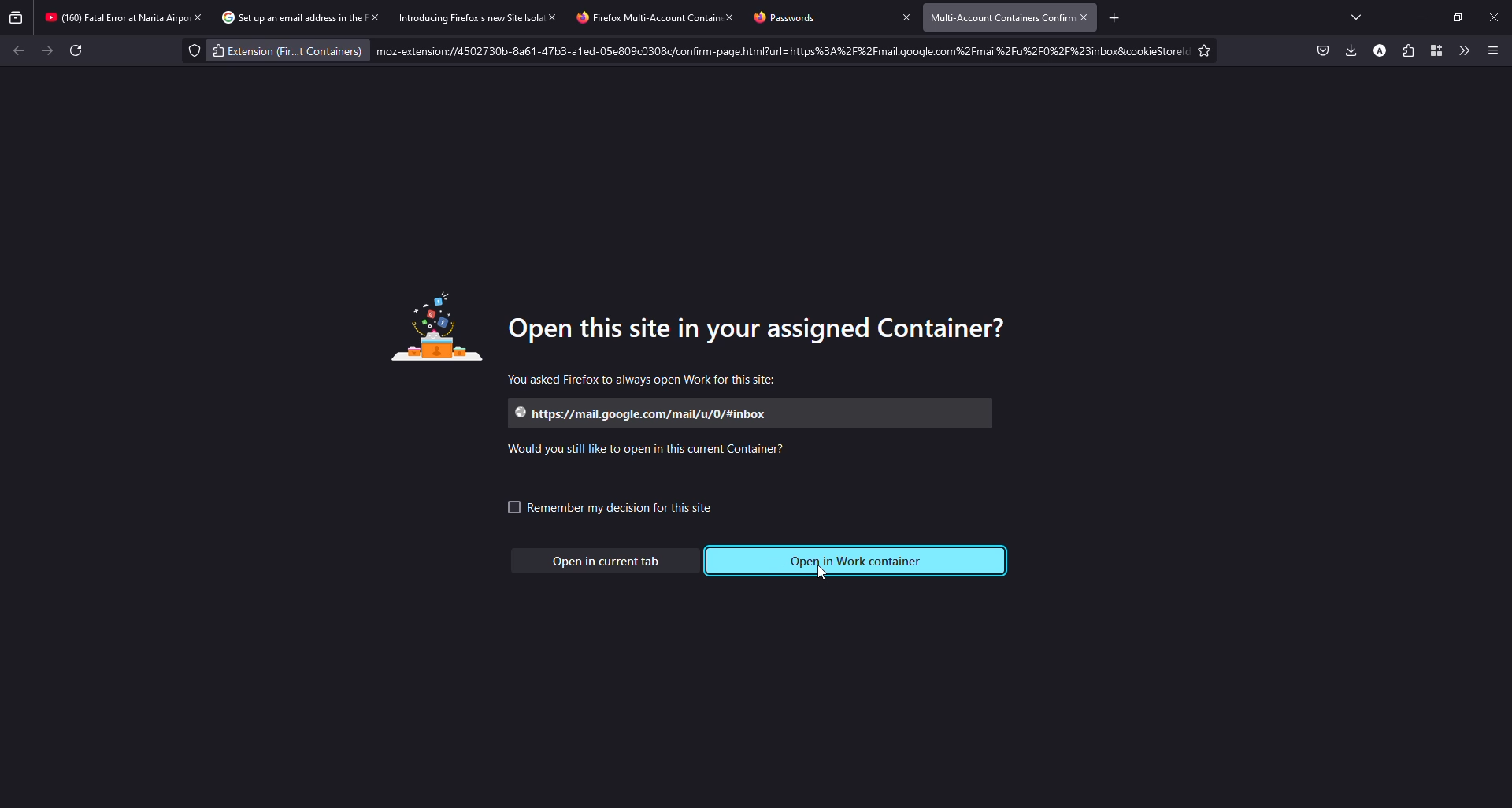 This screenshot has height=808, width=1512. Describe the element at coordinates (768, 327) in the screenshot. I see `open this site` at that location.